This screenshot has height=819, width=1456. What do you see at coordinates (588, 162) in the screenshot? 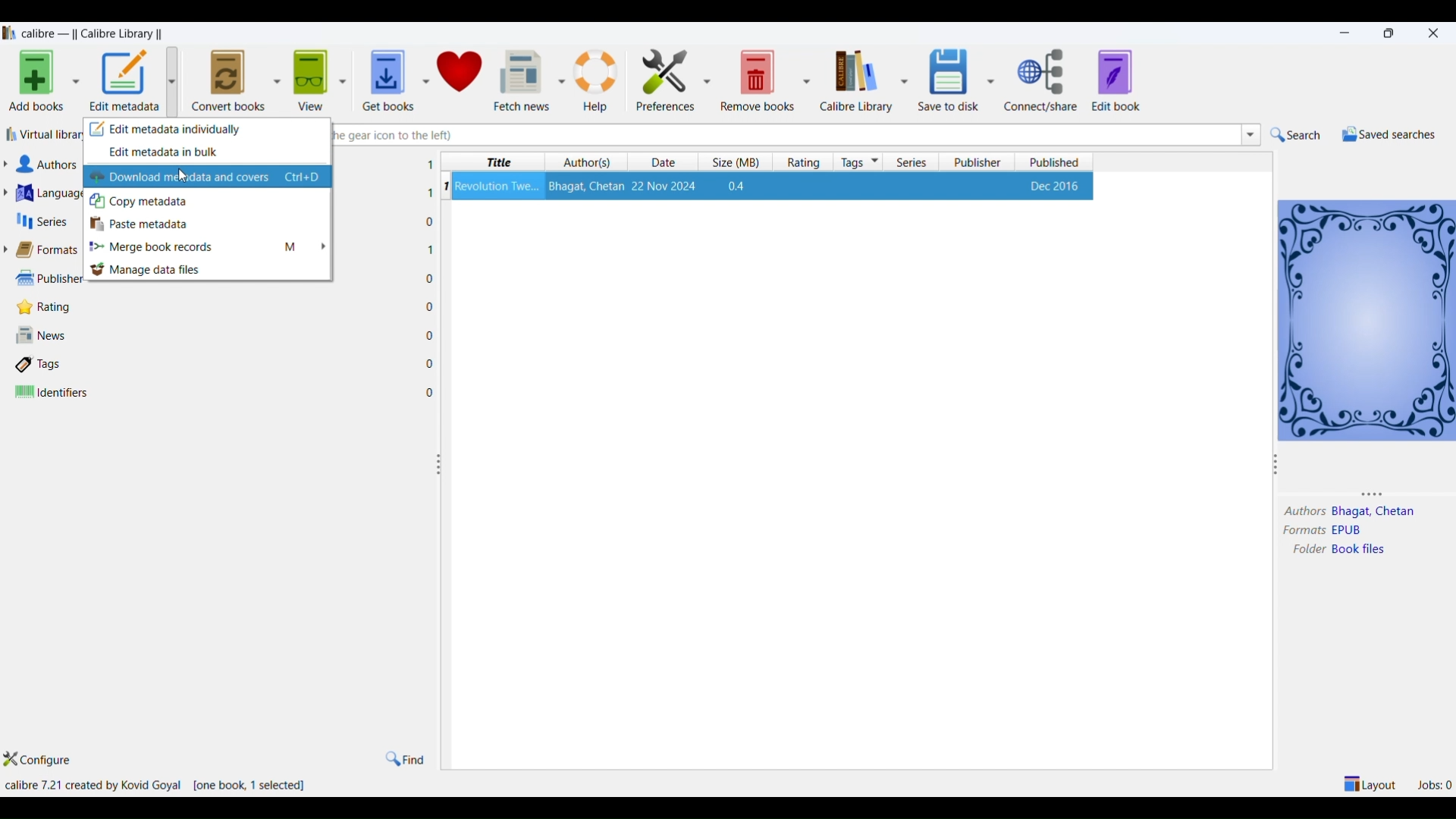
I see `authors` at bounding box center [588, 162].